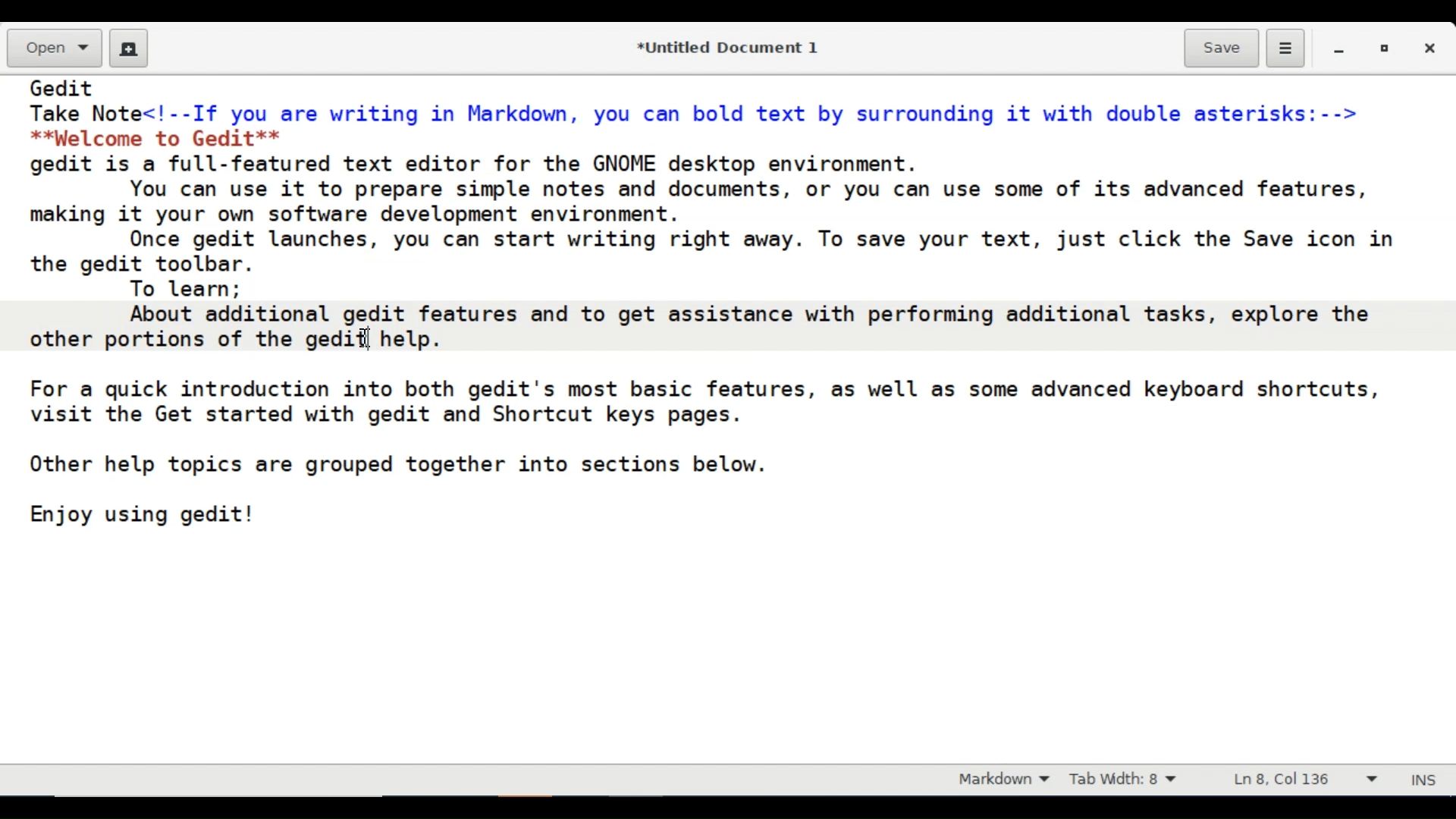 The image size is (1456, 819). What do you see at coordinates (52, 49) in the screenshot?
I see `Open` at bounding box center [52, 49].